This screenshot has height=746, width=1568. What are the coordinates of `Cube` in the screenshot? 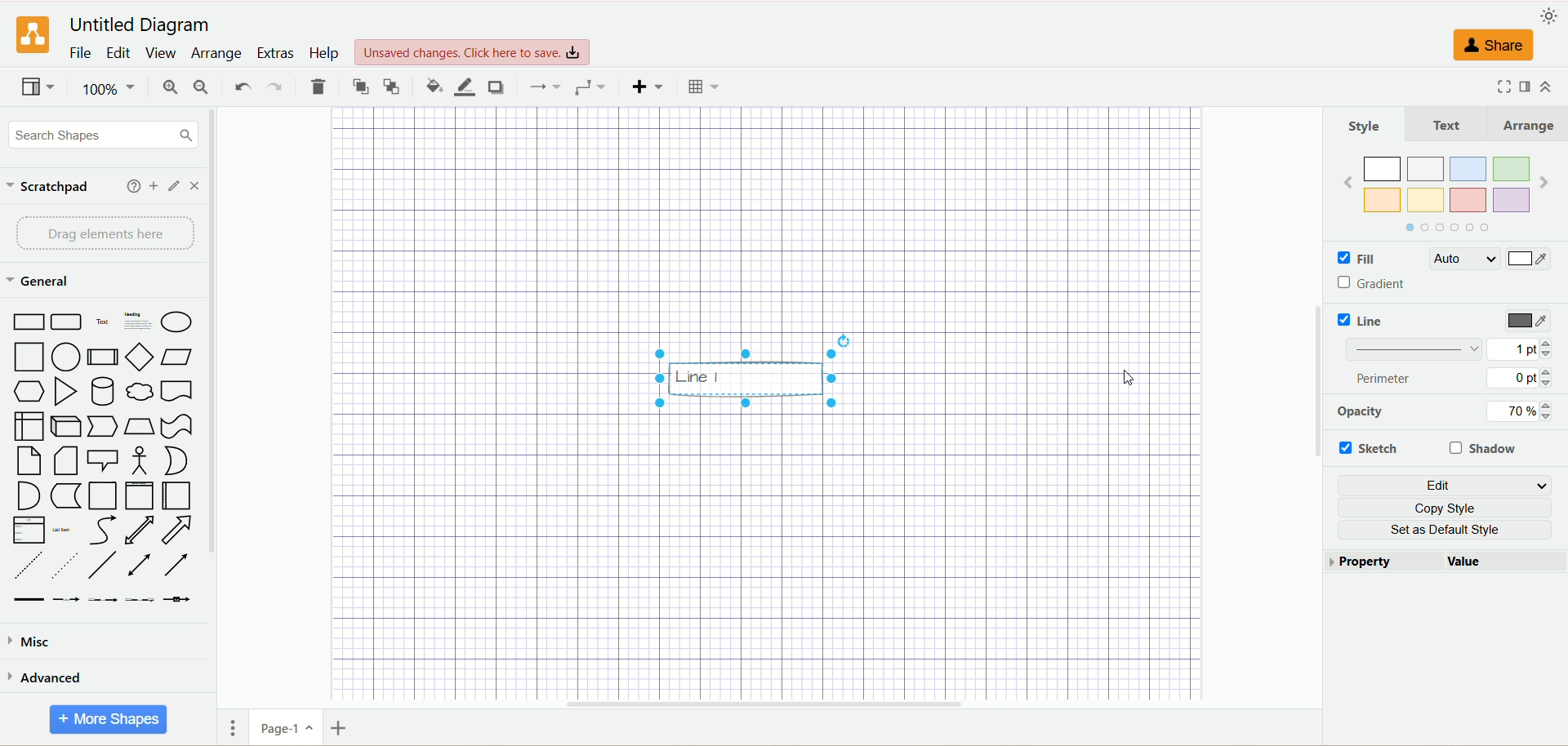 It's located at (68, 427).